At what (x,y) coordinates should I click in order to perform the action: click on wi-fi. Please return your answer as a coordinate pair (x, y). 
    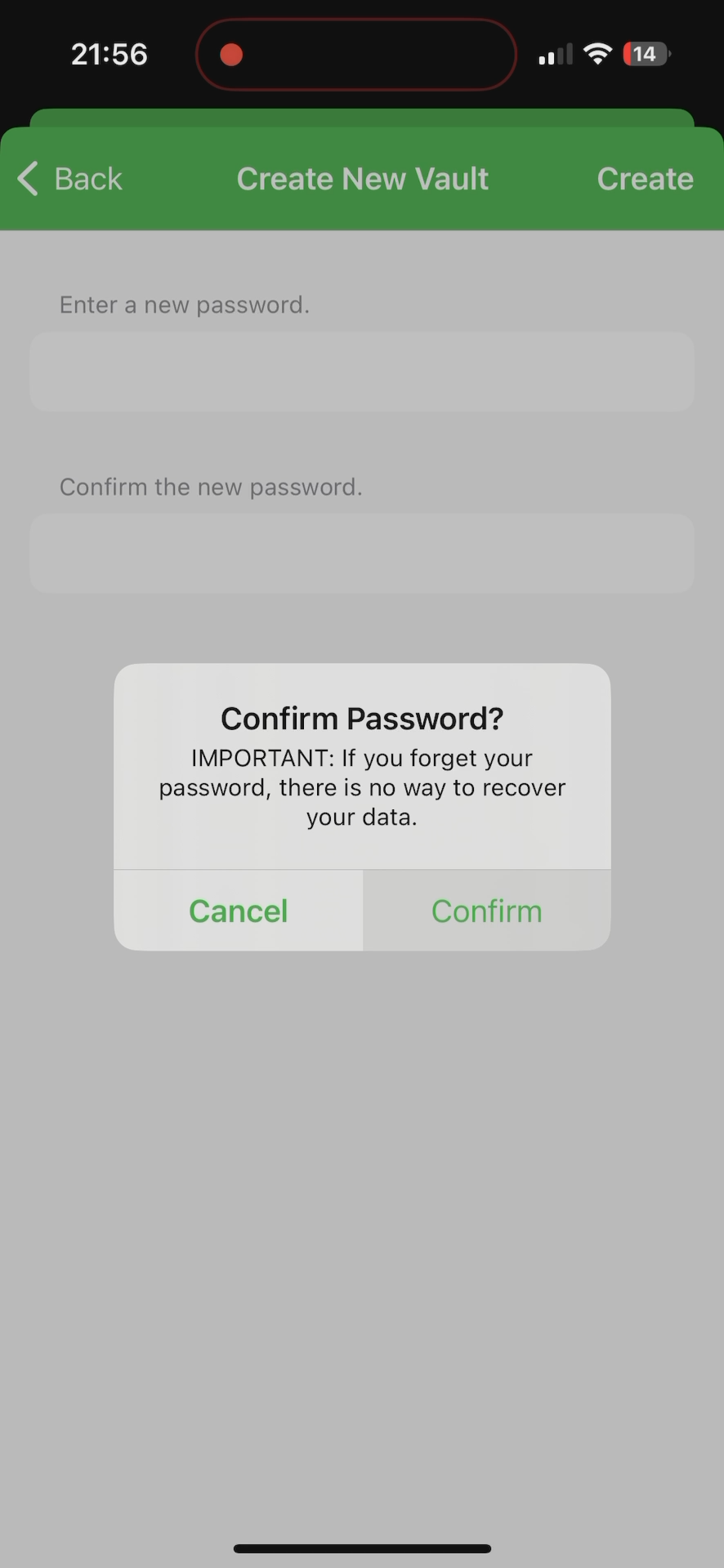
    Looking at the image, I should click on (599, 60).